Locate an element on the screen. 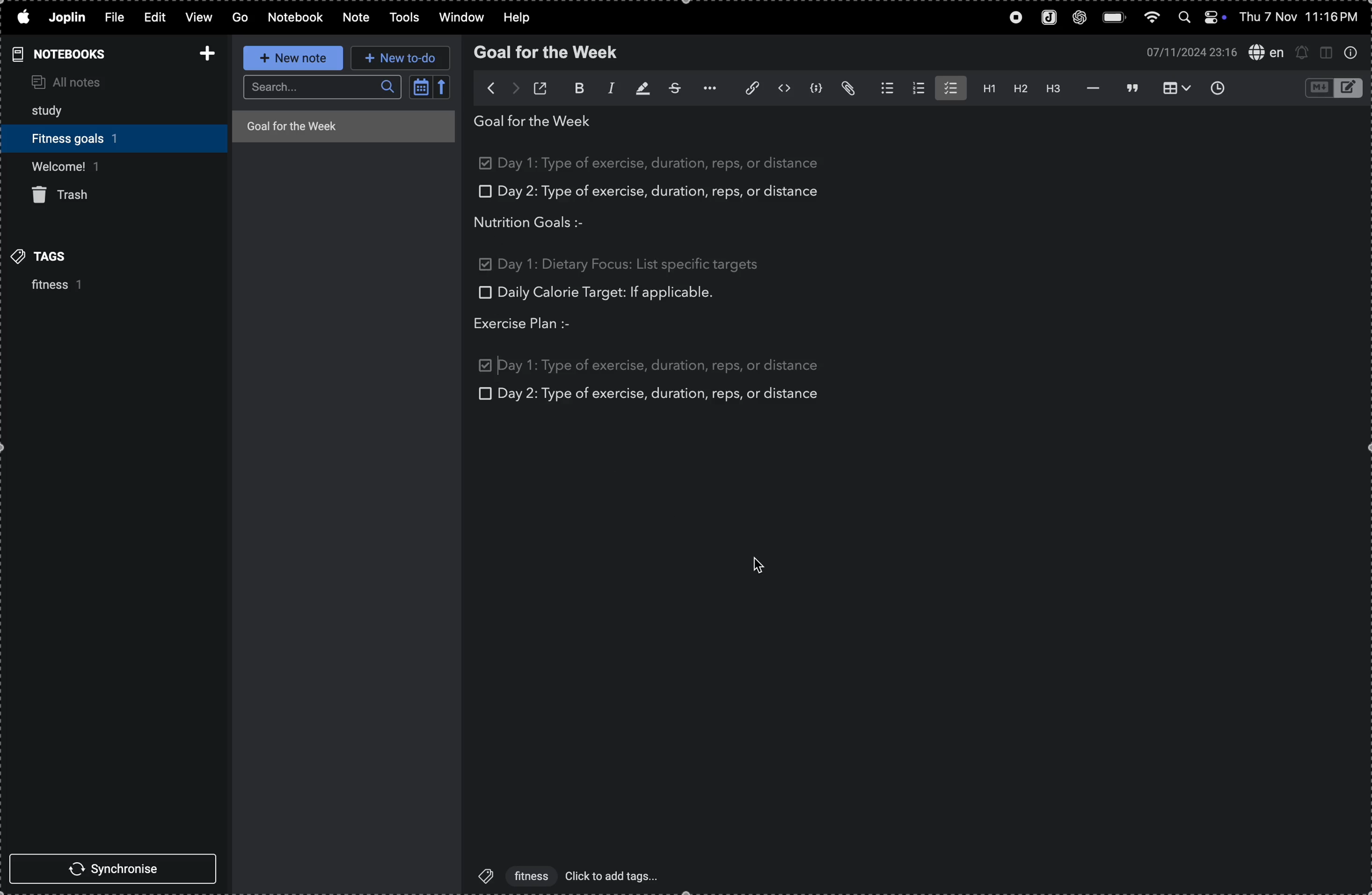  goal for the week  is located at coordinates (538, 124).